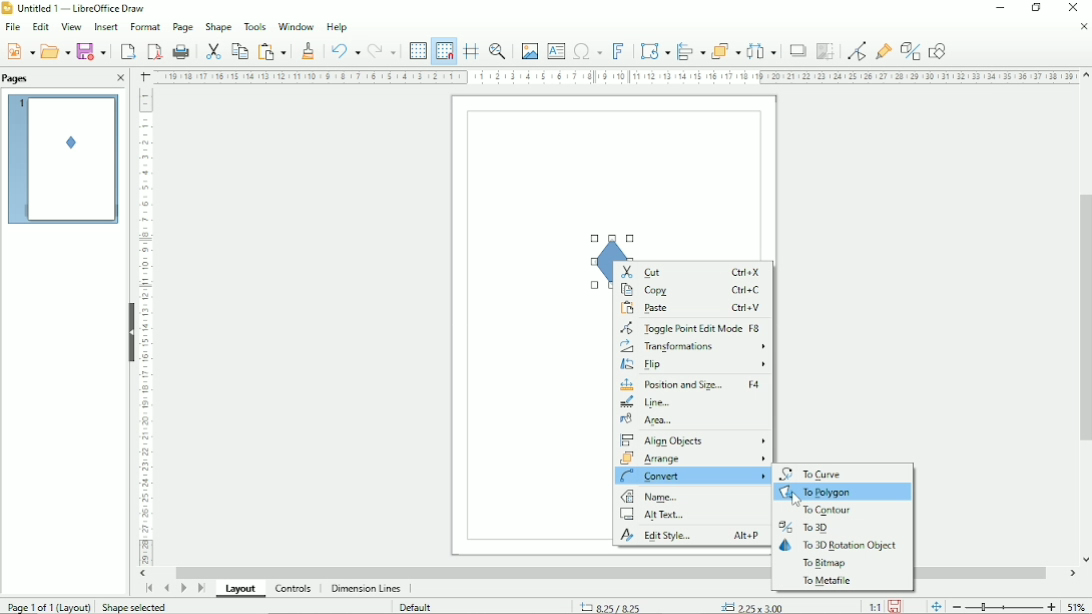  I want to click on Align objects, so click(693, 439).